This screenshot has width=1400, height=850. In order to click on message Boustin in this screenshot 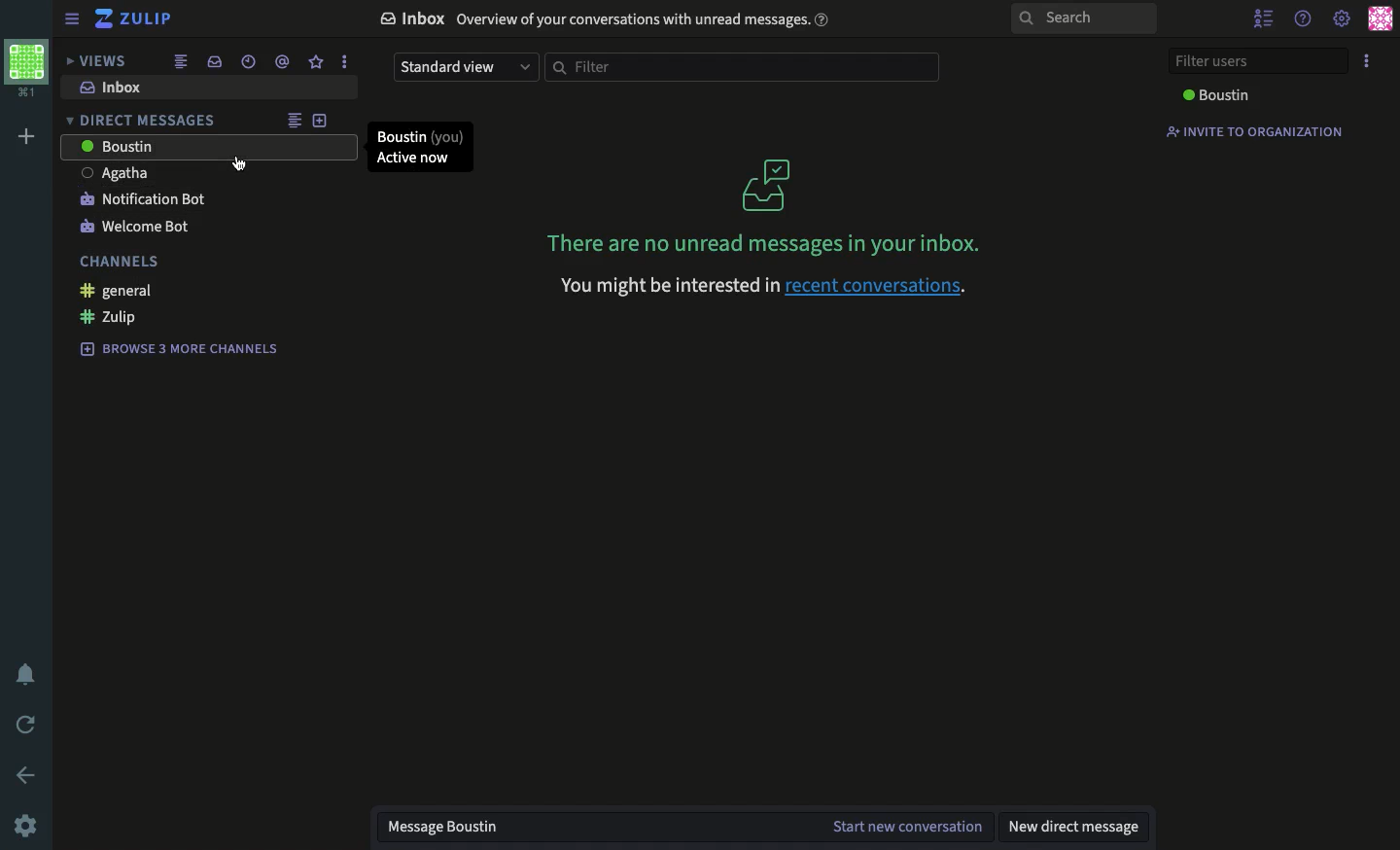, I will do `click(443, 830)`.